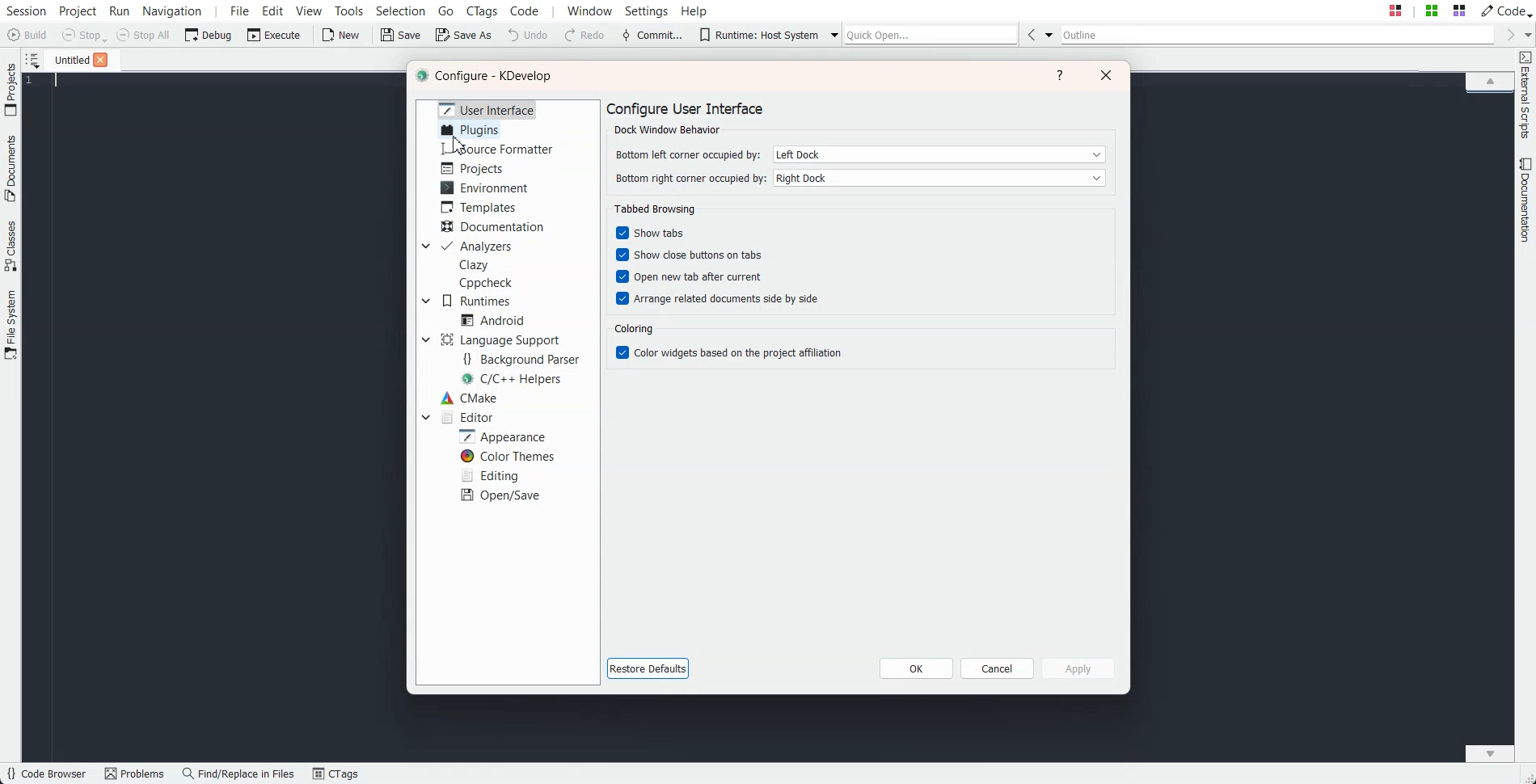 The width and height of the screenshot is (1536, 784). I want to click on Undo, so click(528, 34).